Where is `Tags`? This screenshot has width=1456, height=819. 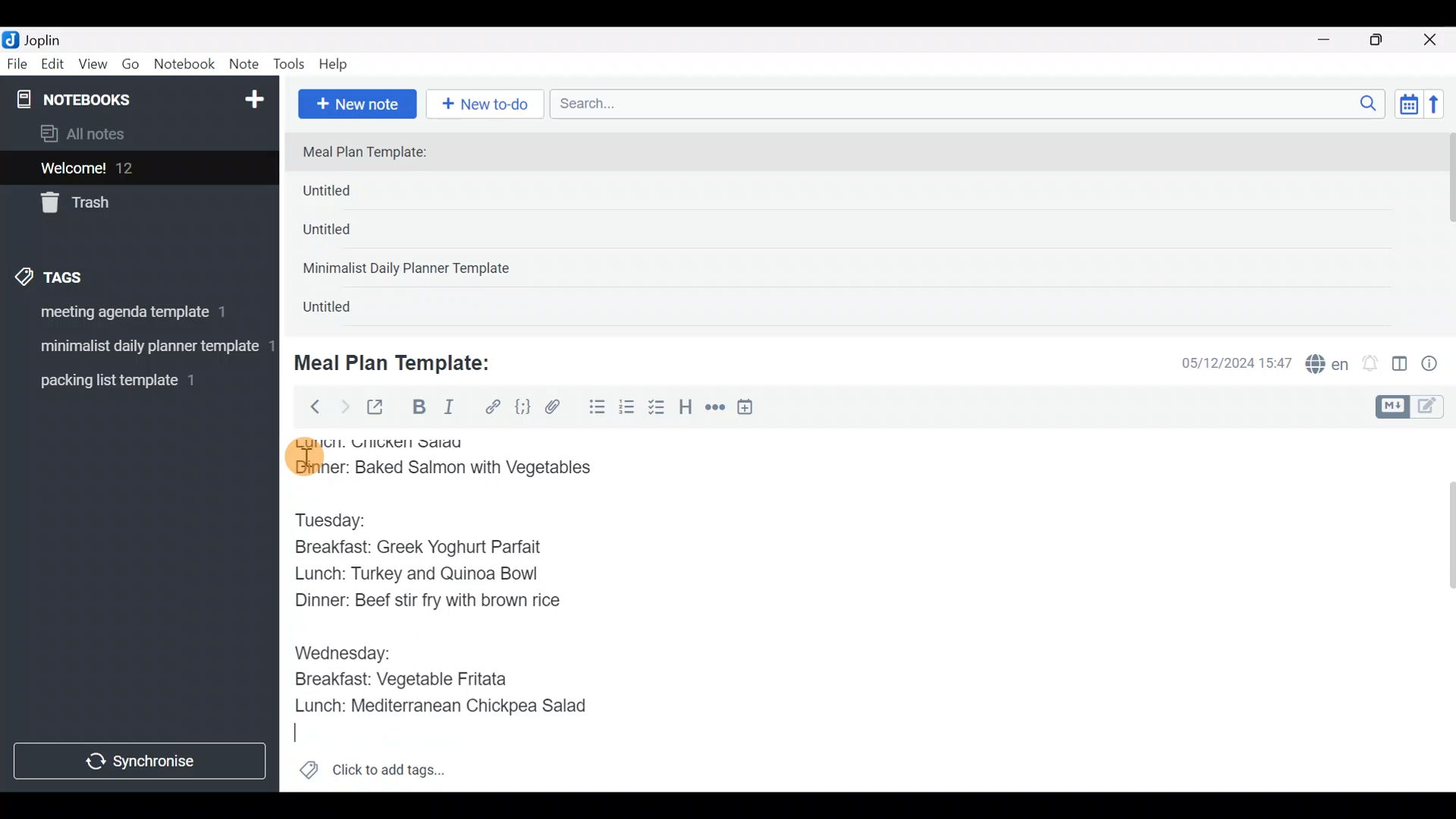
Tags is located at coordinates (85, 275).